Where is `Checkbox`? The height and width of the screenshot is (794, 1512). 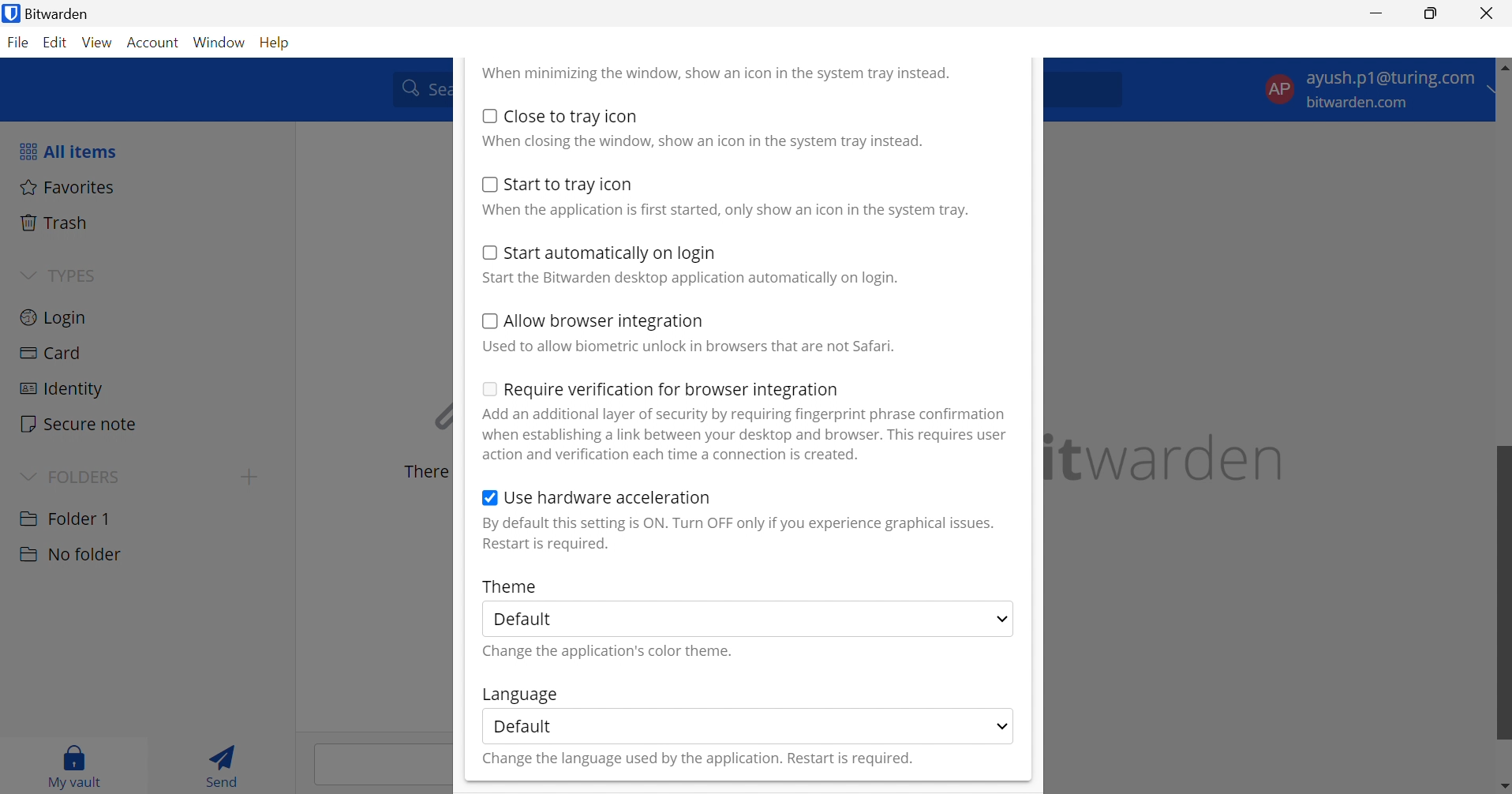
Checkbox is located at coordinates (486, 252).